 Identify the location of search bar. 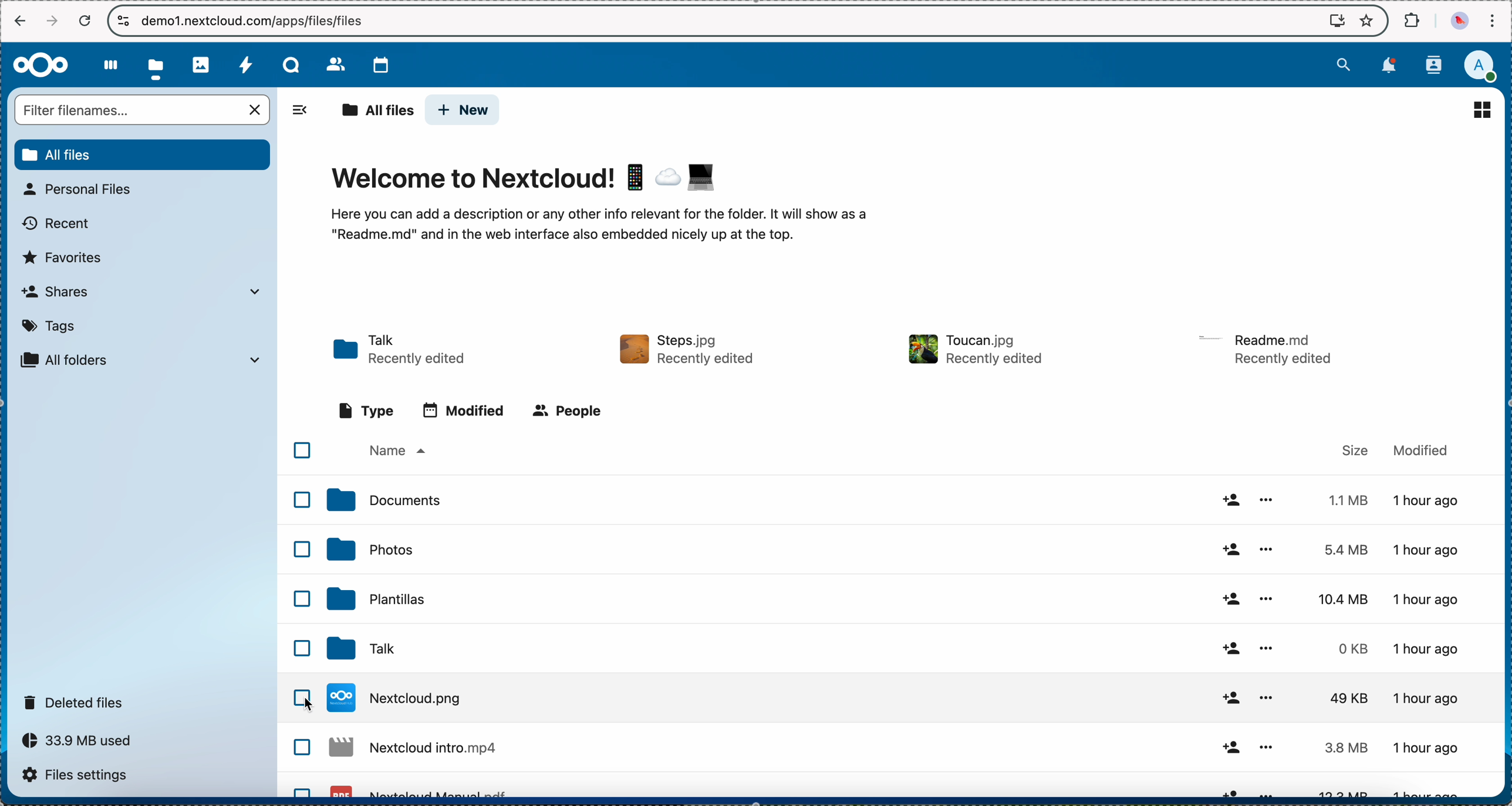
(144, 110).